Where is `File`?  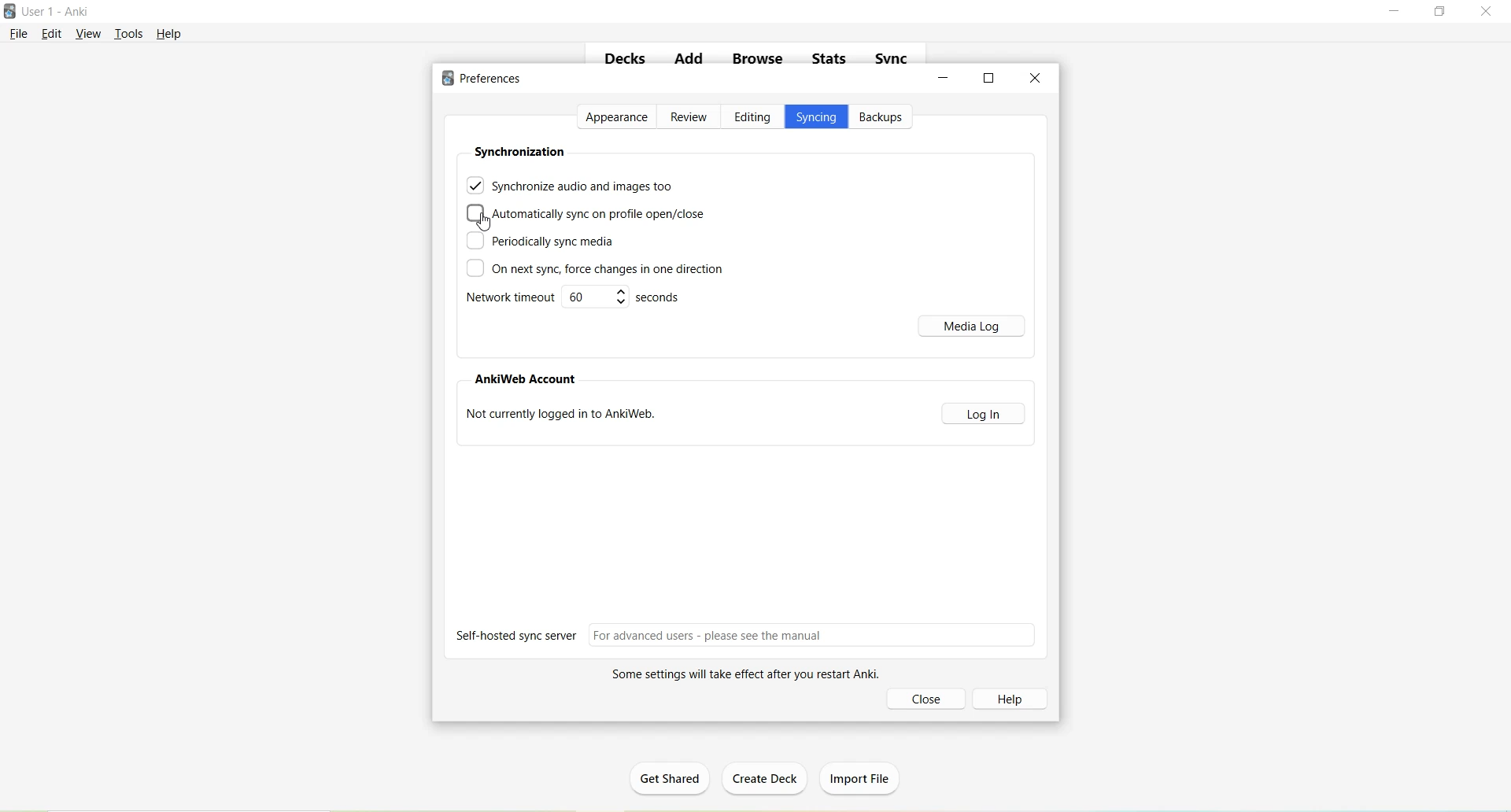 File is located at coordinates (20, 33).